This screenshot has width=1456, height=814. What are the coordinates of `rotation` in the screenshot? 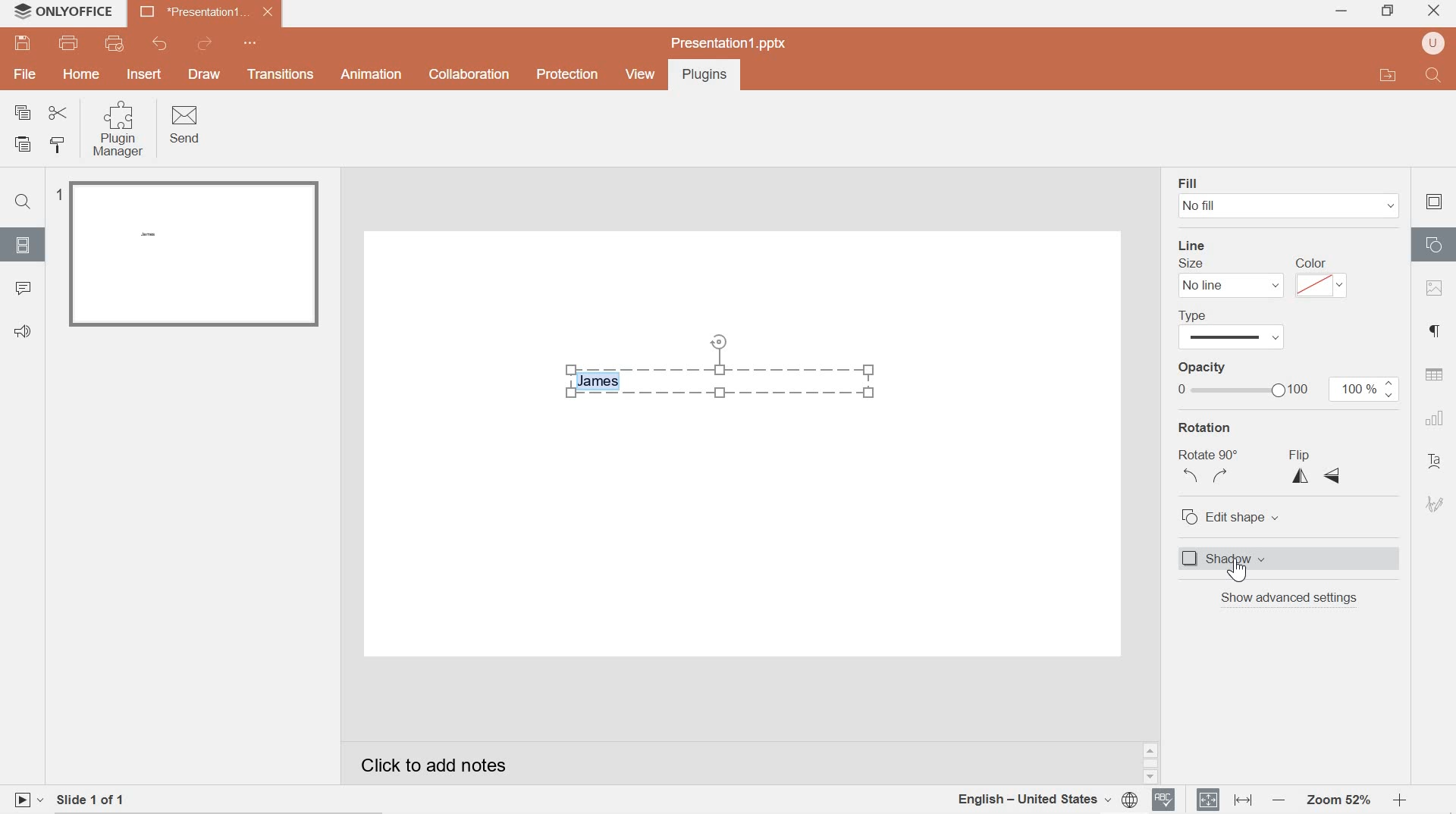 It's located at (1205, 426).